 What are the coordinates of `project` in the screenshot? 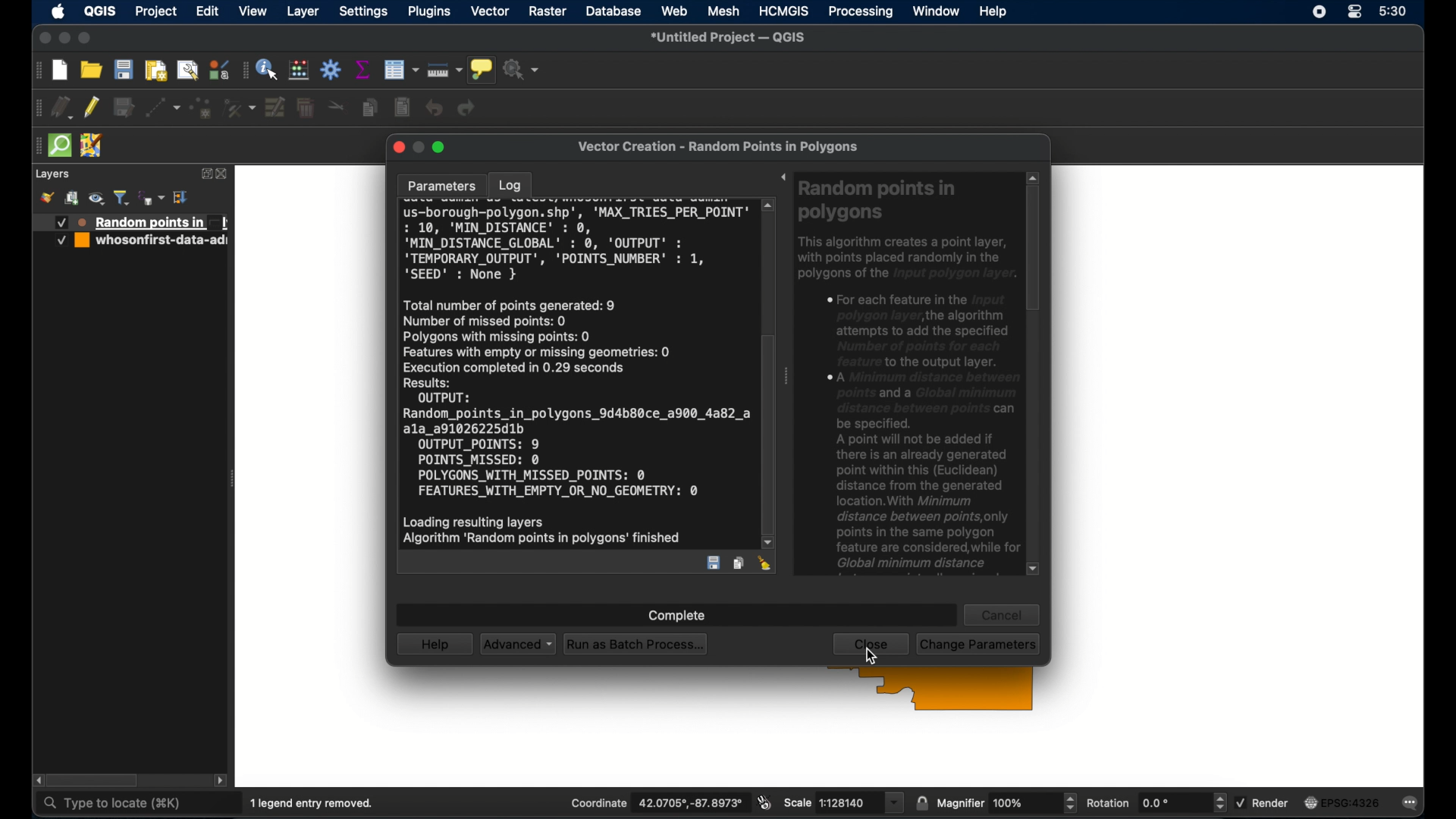 It's located at (155, 12).